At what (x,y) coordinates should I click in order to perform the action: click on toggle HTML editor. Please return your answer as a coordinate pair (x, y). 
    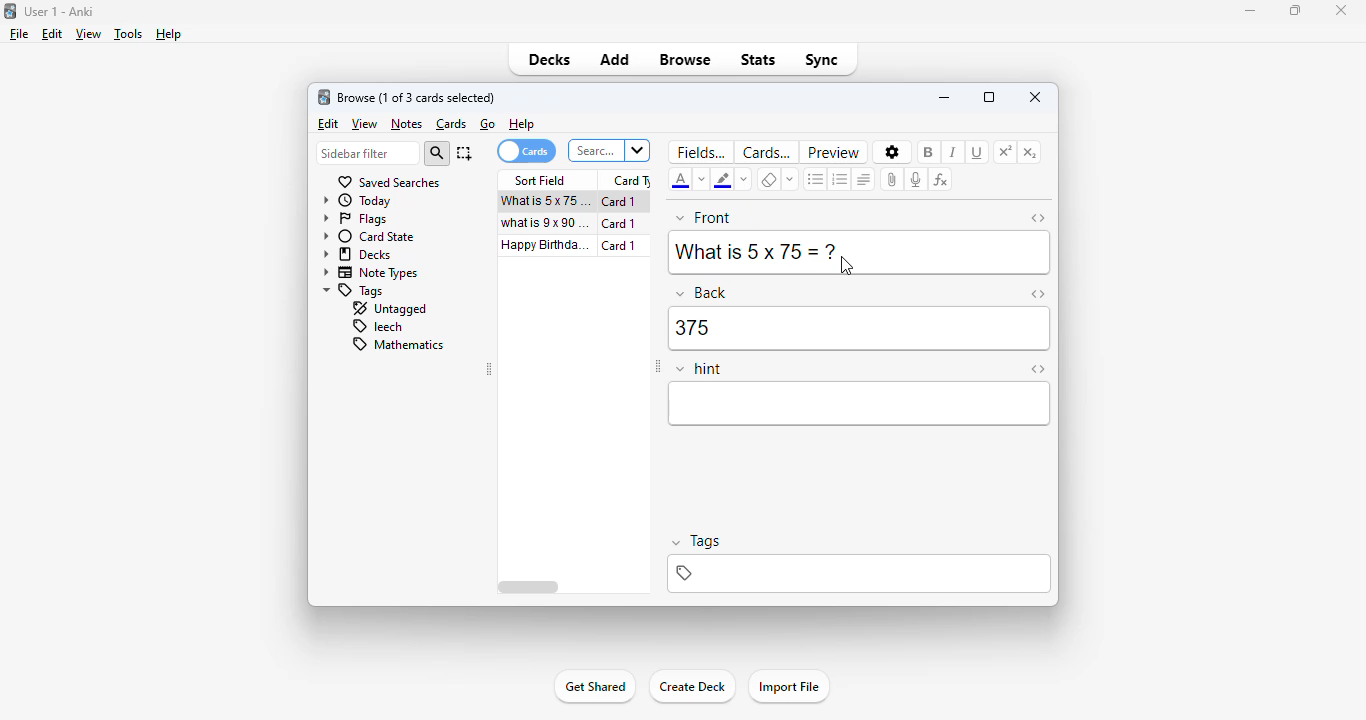
    Looking at the image, I should click on (1038, 369).